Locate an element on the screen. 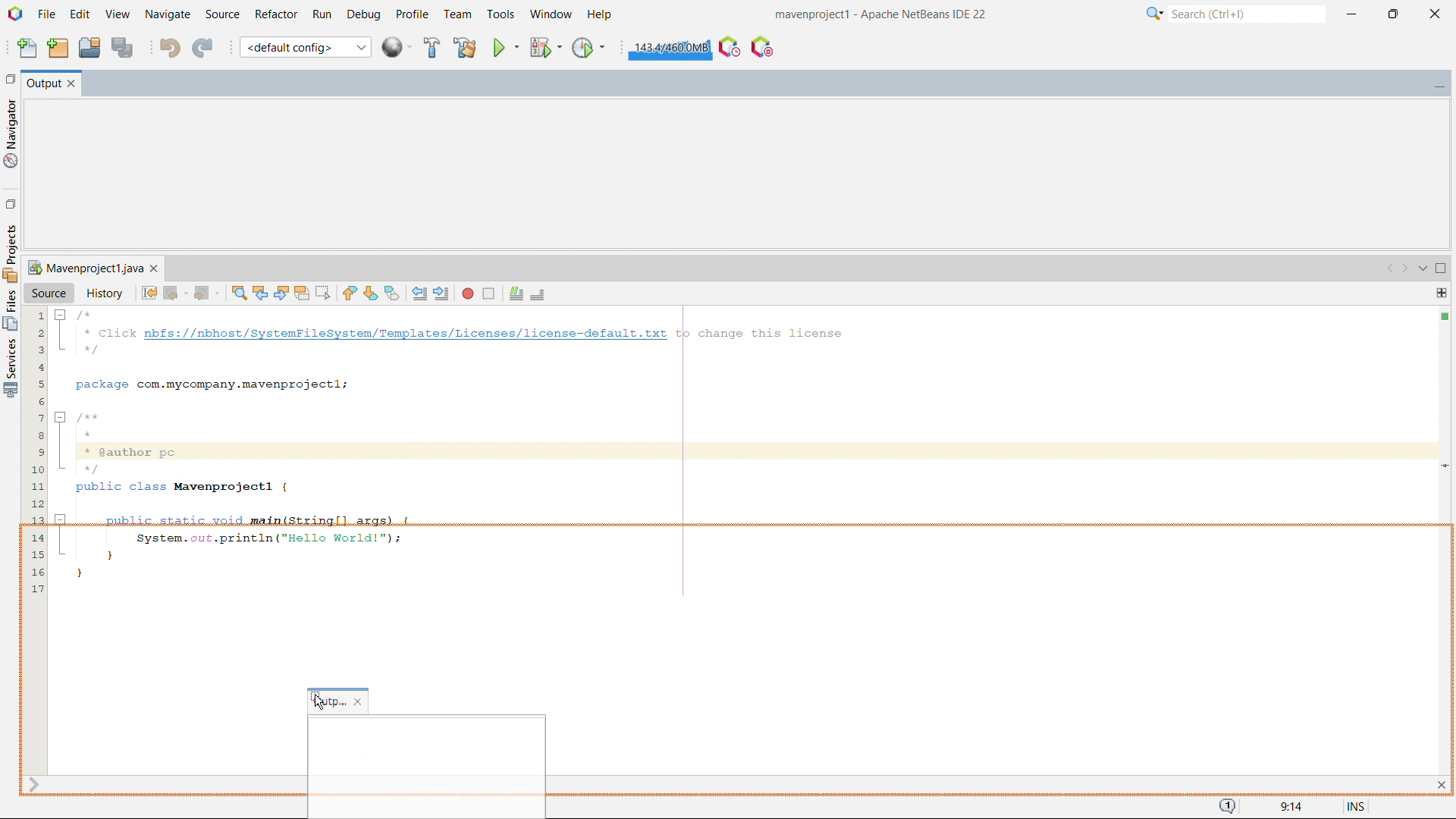 This screenshot has width=1456, height=819. run is located at coordinates (322, 15).